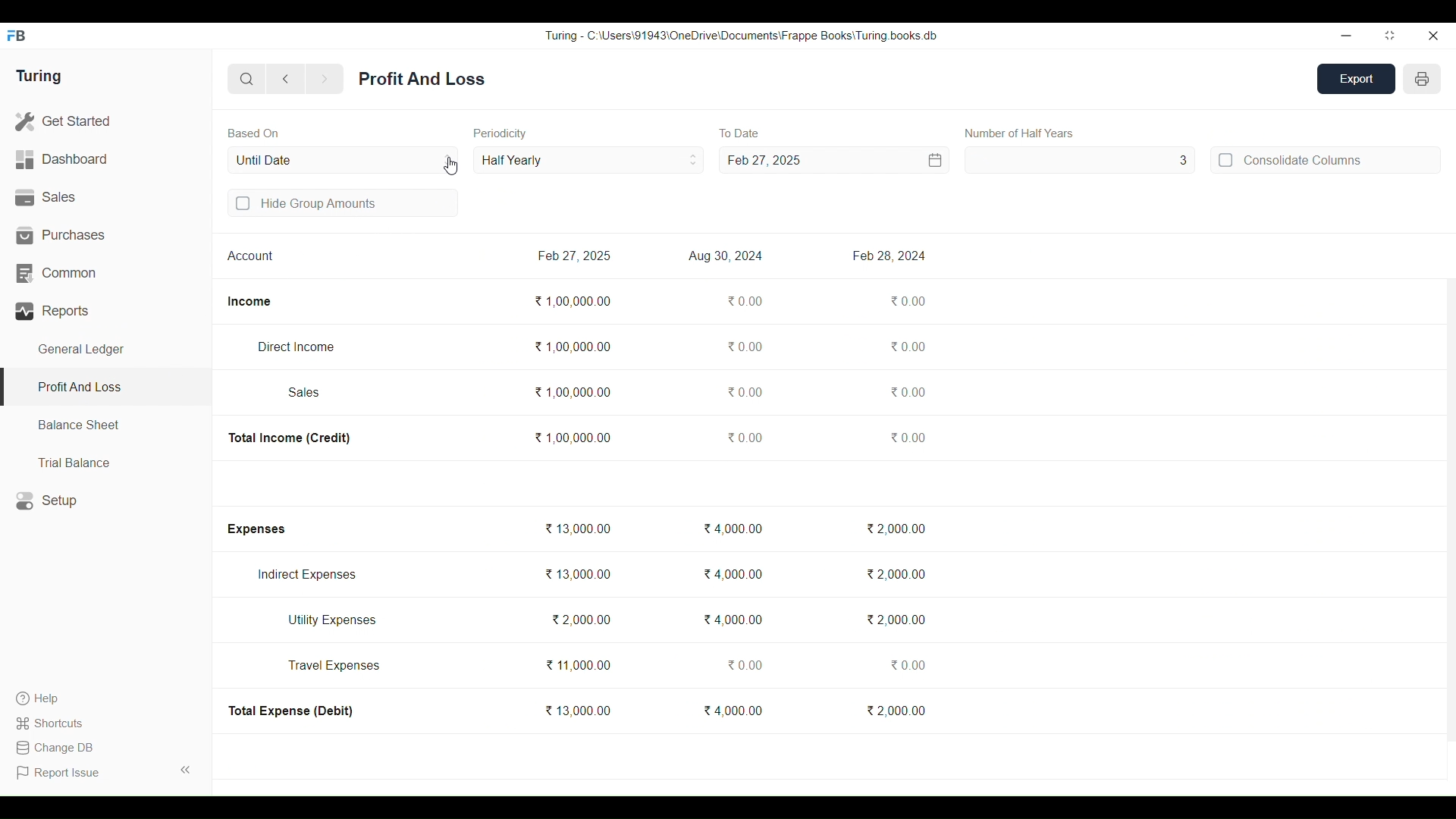 This screenshot has height=819, width=1456. What do you see at coordinates (1081, 160) in the screenshot?
I see `3` at bounding box center [1081, 160].